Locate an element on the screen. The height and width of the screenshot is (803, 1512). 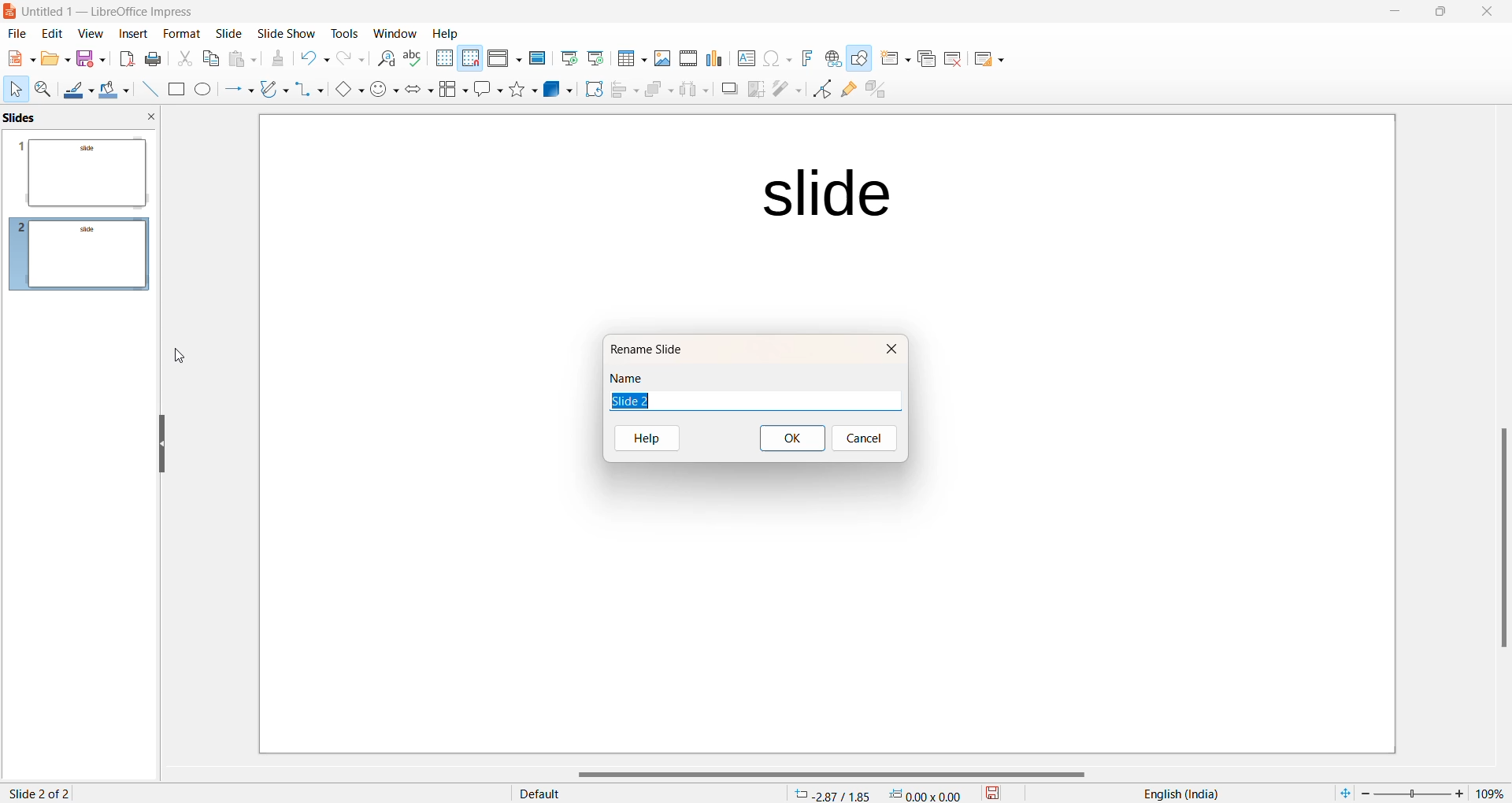
Export as PDF is located at coordinates (124, 59).